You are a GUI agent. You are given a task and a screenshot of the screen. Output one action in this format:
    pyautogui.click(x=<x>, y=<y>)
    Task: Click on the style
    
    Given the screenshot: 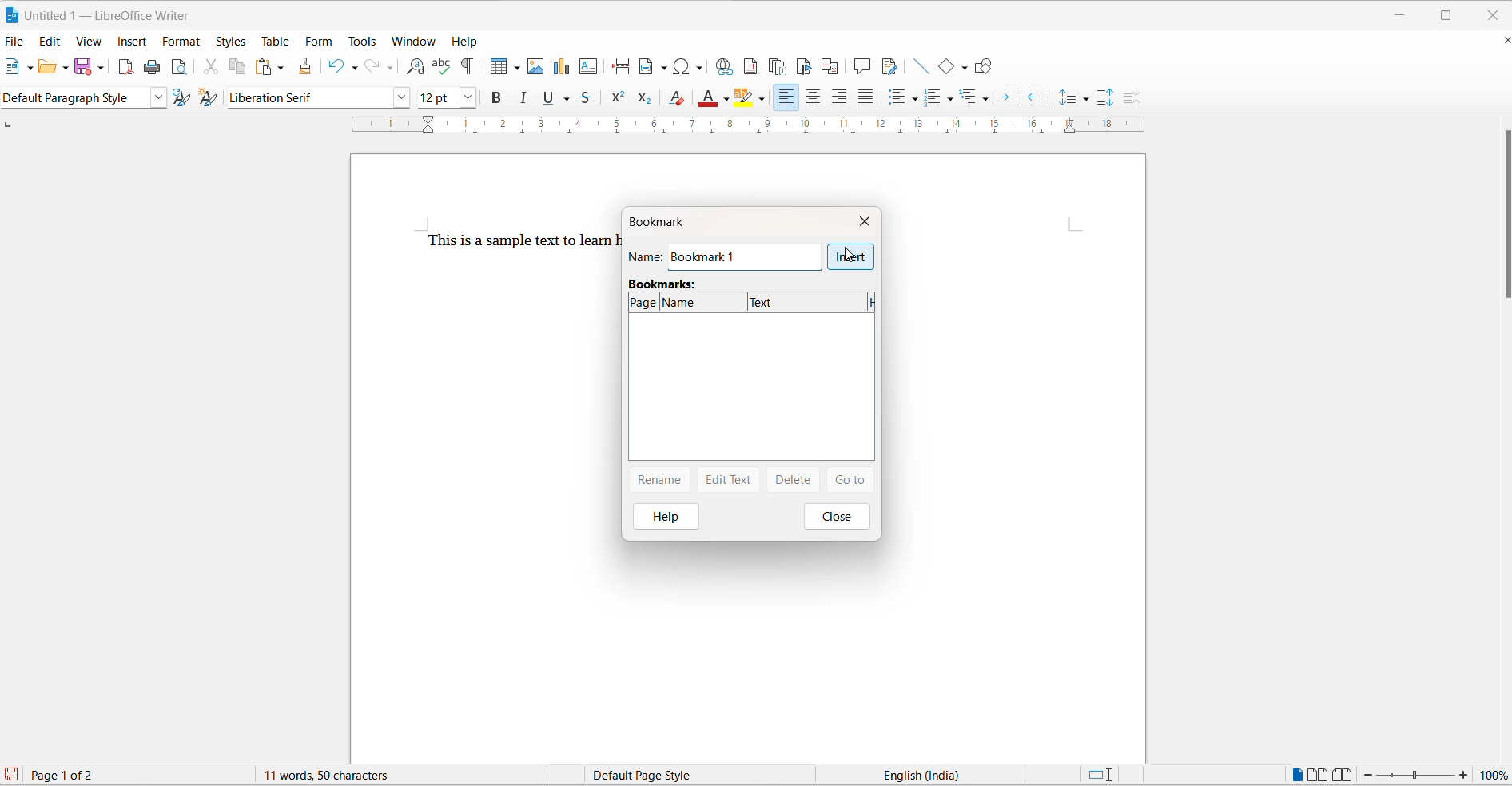 What is the action you would take?
    pyautogui.click(x=74, y=97)
    